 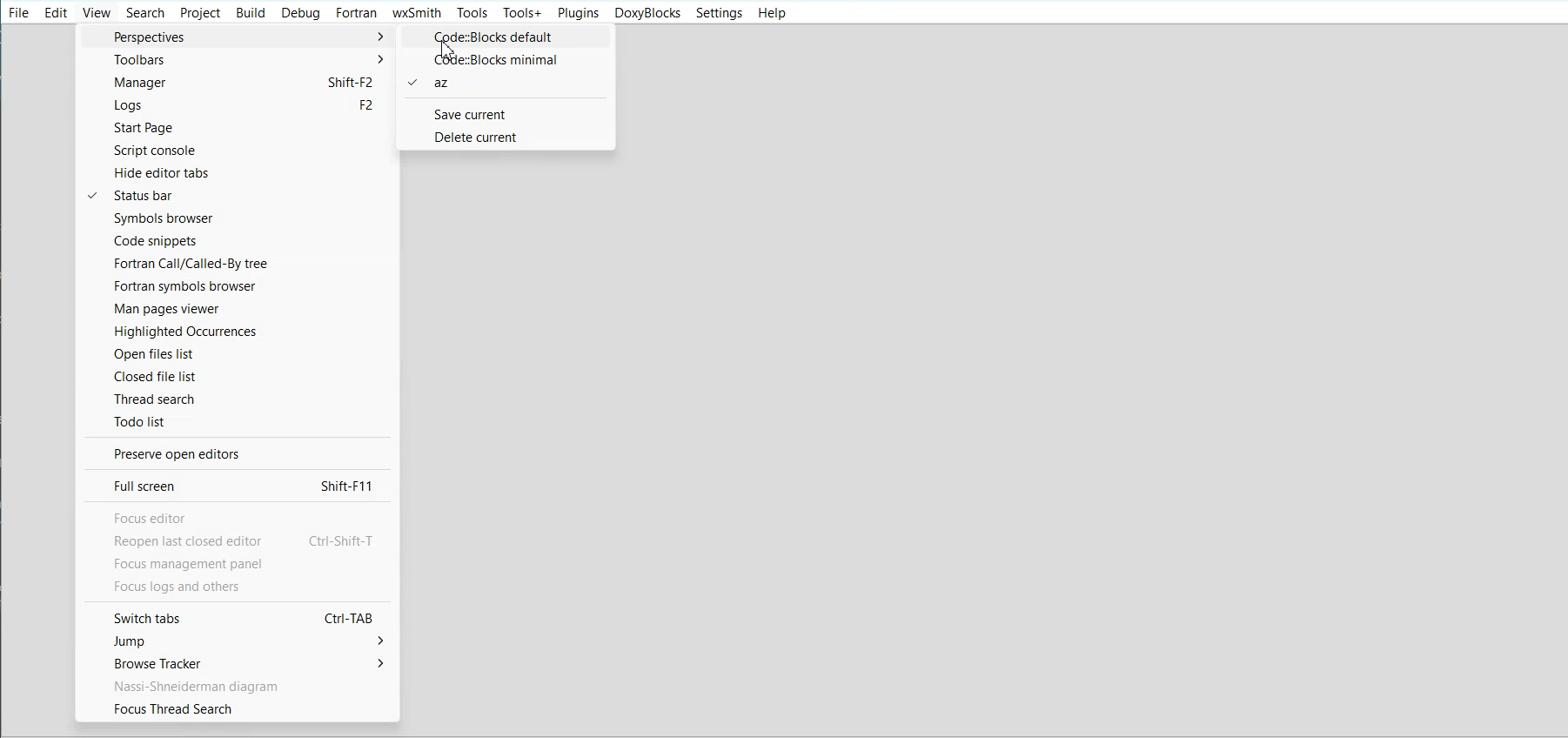 I want to click on Delete current, so click(x=499, y=137).